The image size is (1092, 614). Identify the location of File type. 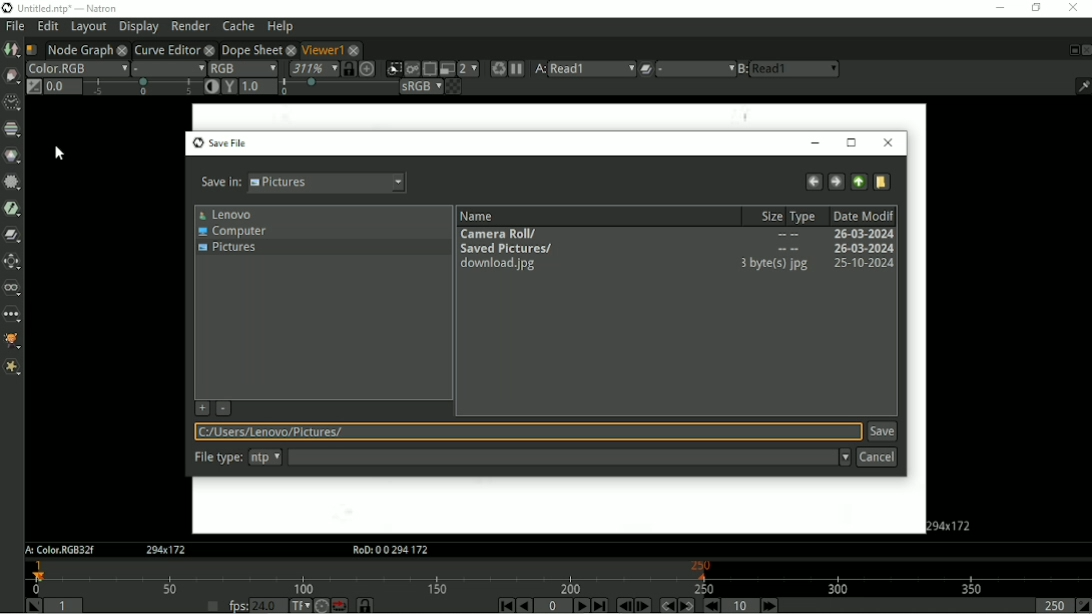
(570, 457).